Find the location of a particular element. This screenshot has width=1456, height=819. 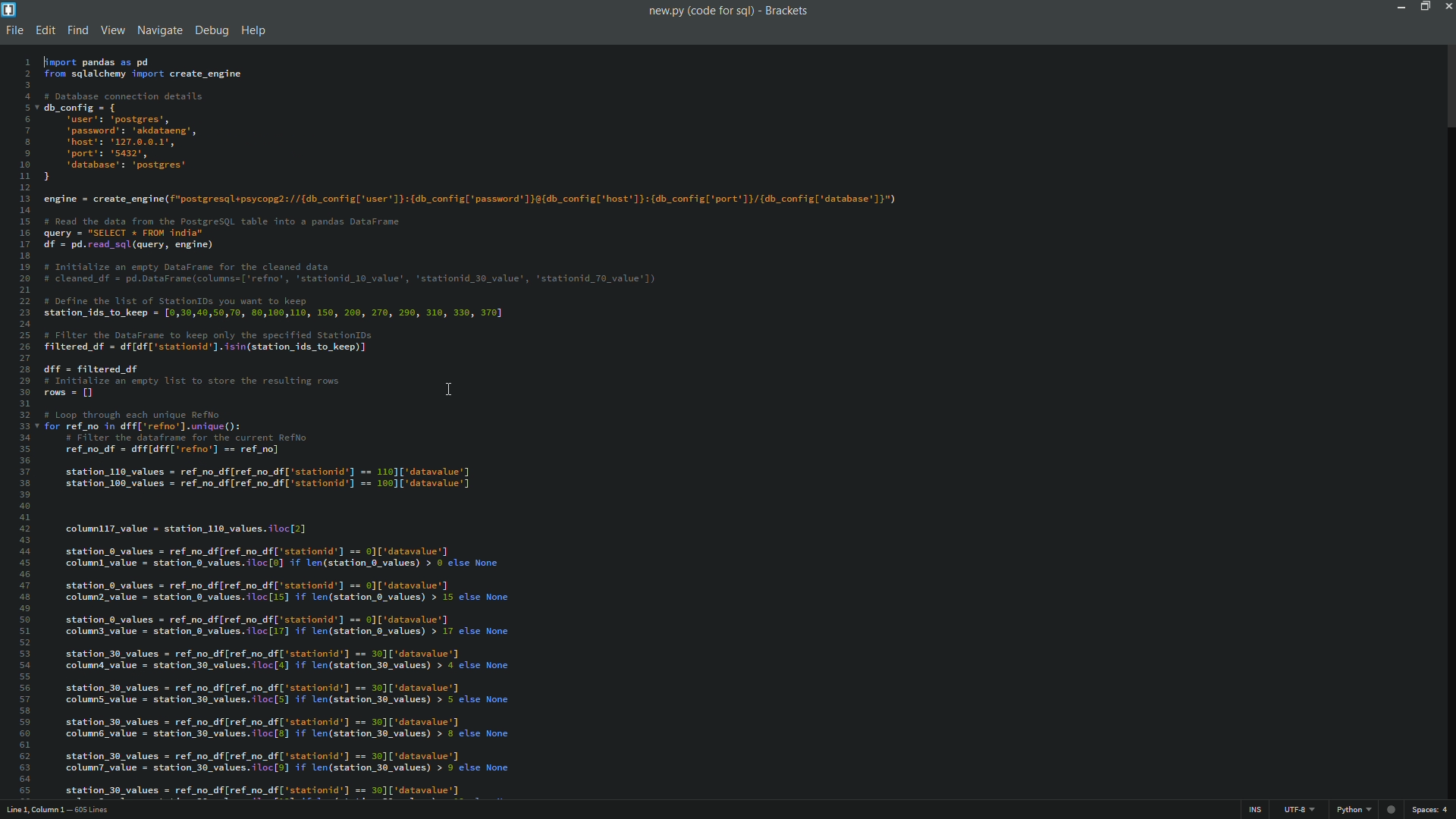

minimize is located at coordinates (1401, 6).